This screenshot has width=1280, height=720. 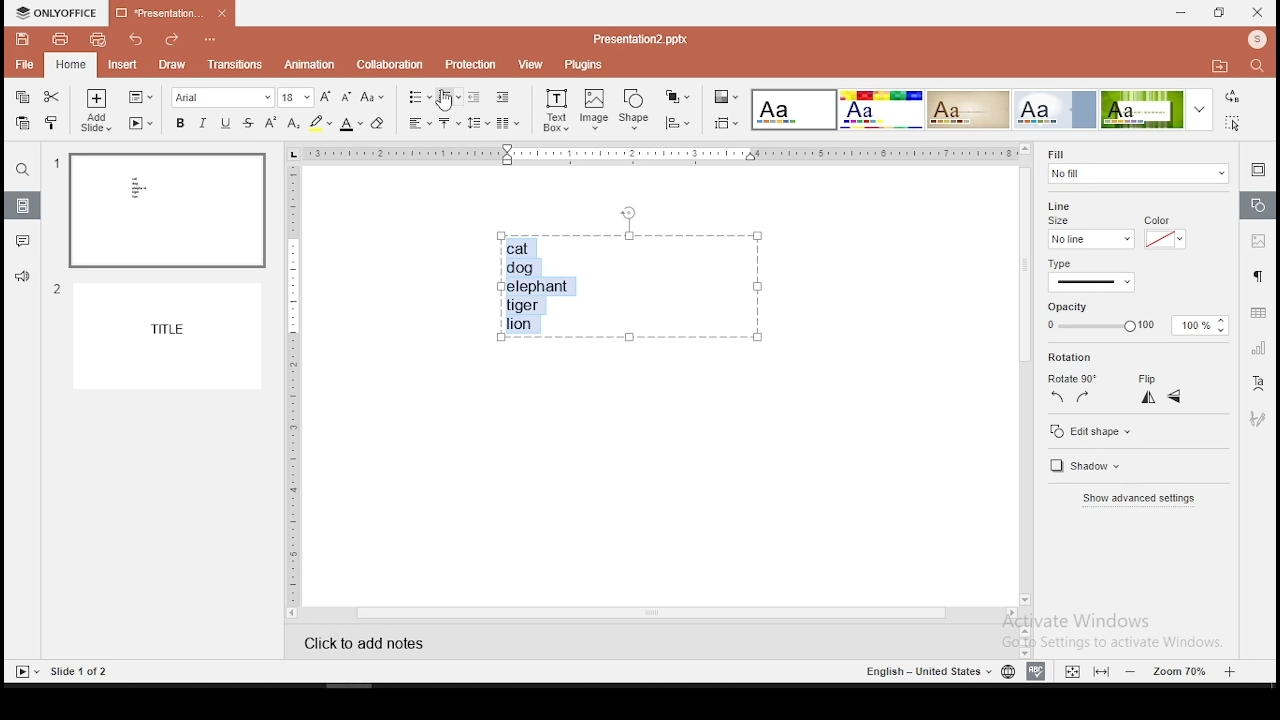 I want to click on superscript, so click(x=266, y=122).